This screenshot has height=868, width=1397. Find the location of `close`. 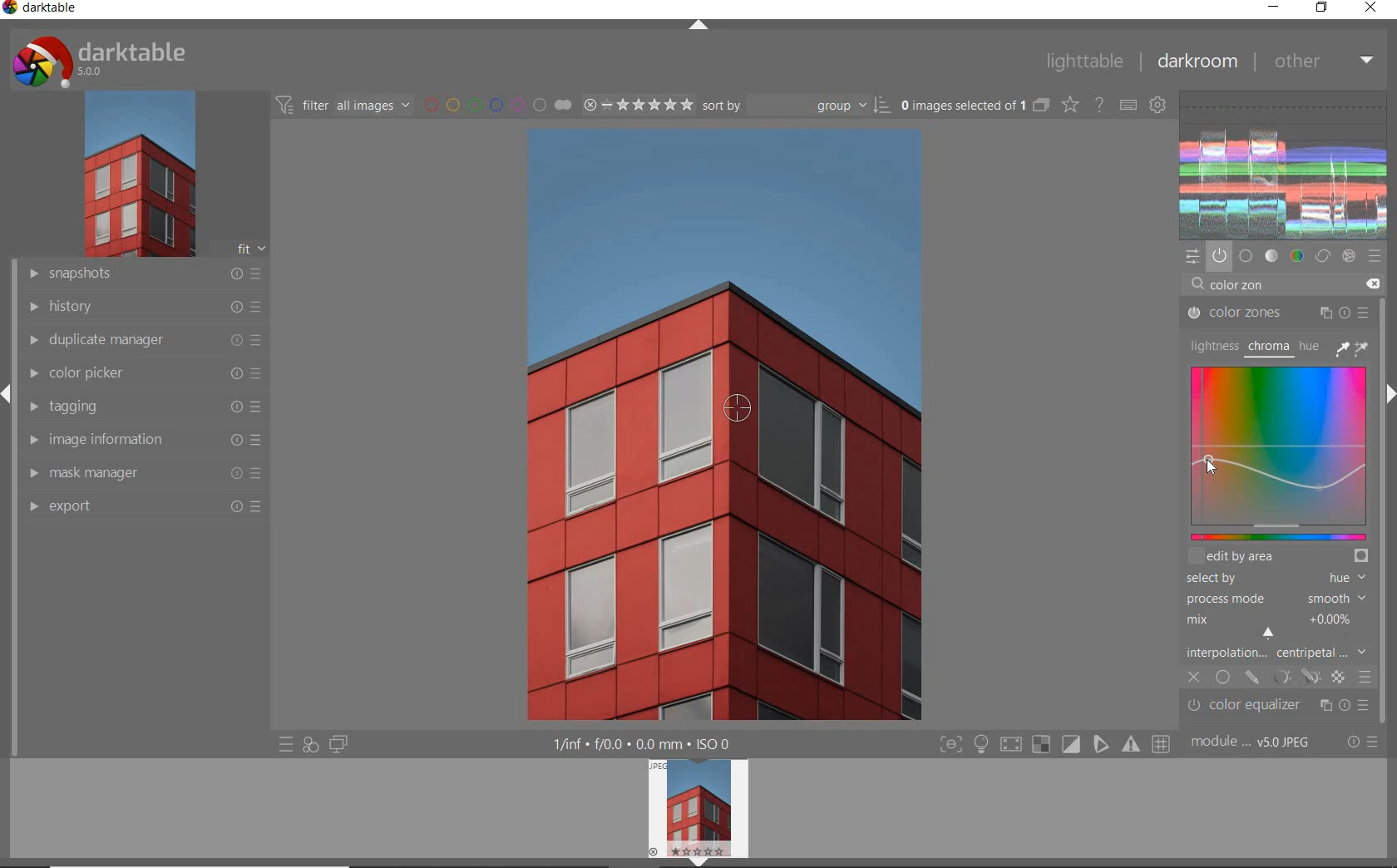

close is located at coordinates (1371, 8).